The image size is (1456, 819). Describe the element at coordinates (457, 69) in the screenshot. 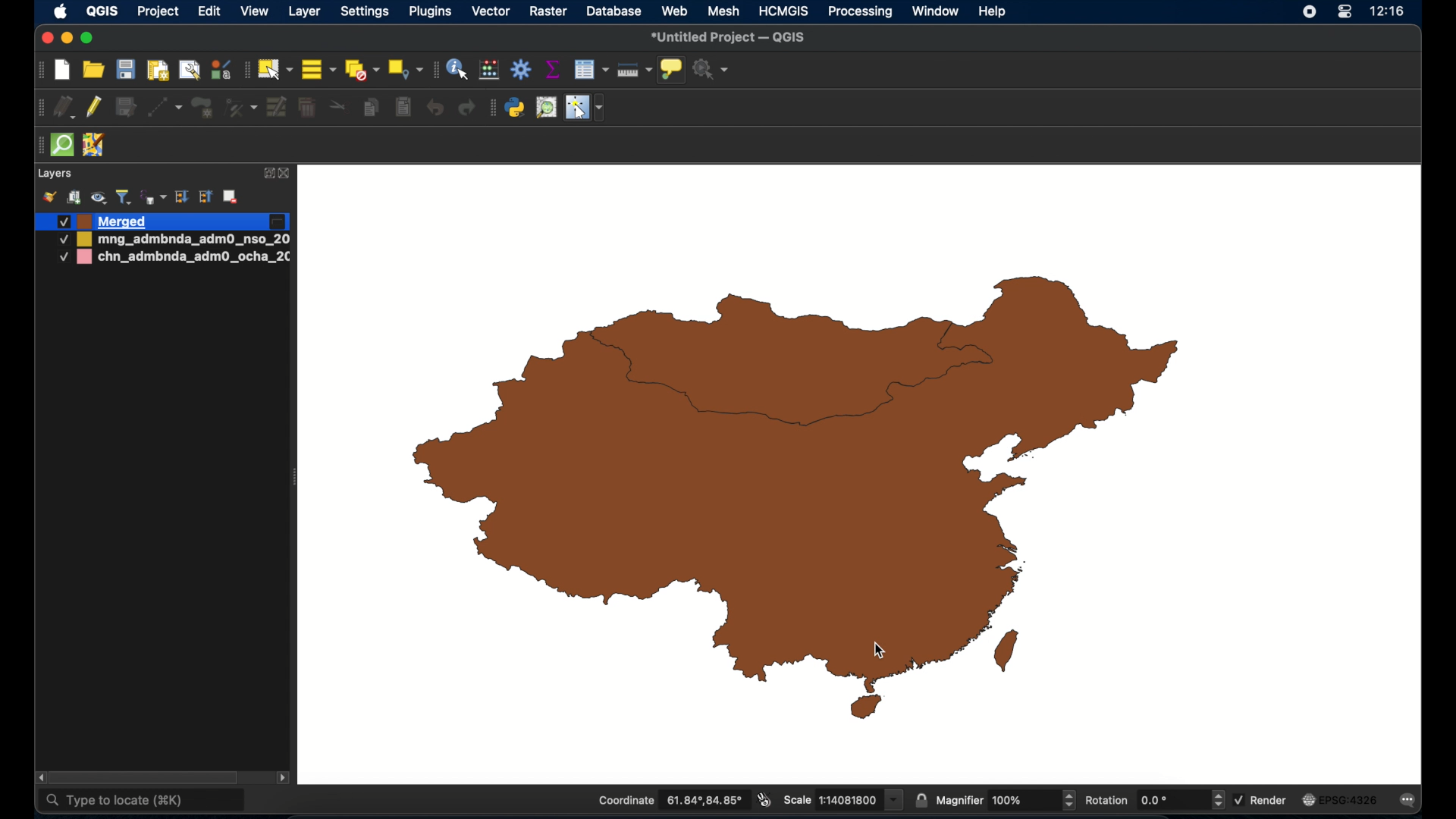

I see `identify features` at that location.